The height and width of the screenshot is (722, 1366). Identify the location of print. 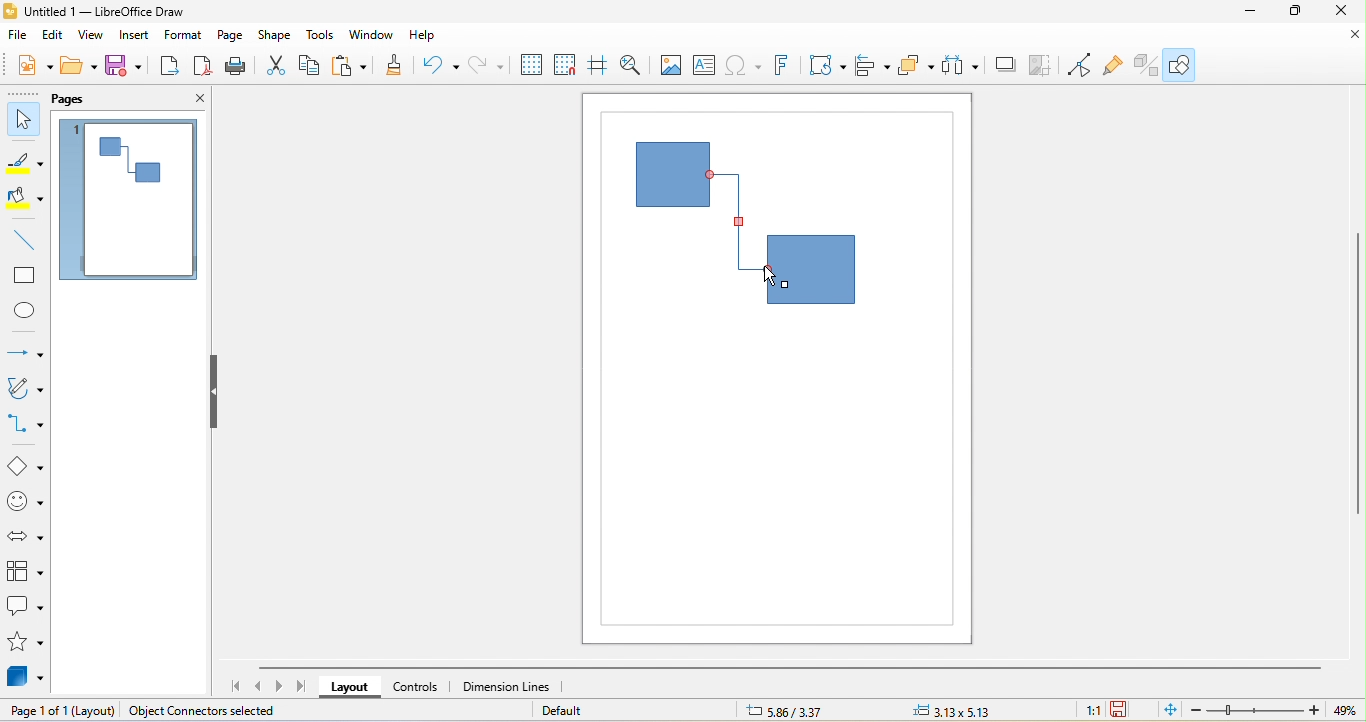
(237, 68).